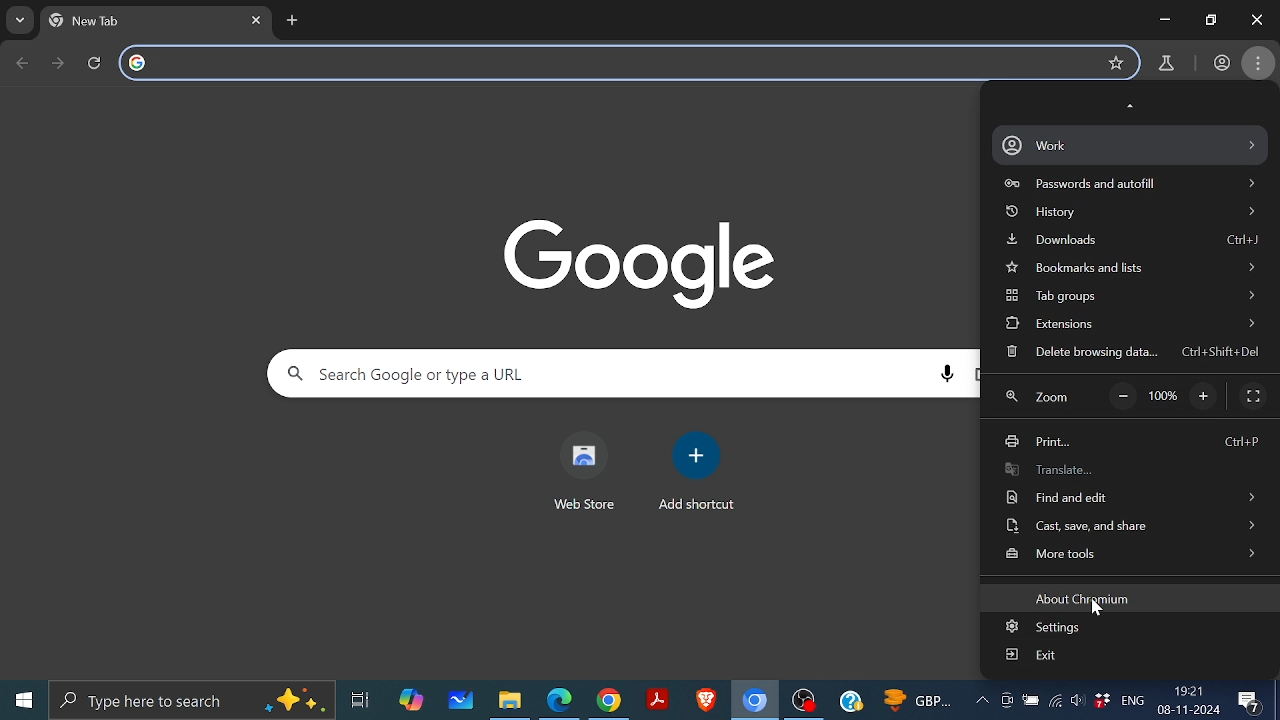 This screenshot has width=1280, height=720. What do you see at coordinates (1134, 701) in the screenshot?
I see `Eng` at bounding box center [1134, 701].